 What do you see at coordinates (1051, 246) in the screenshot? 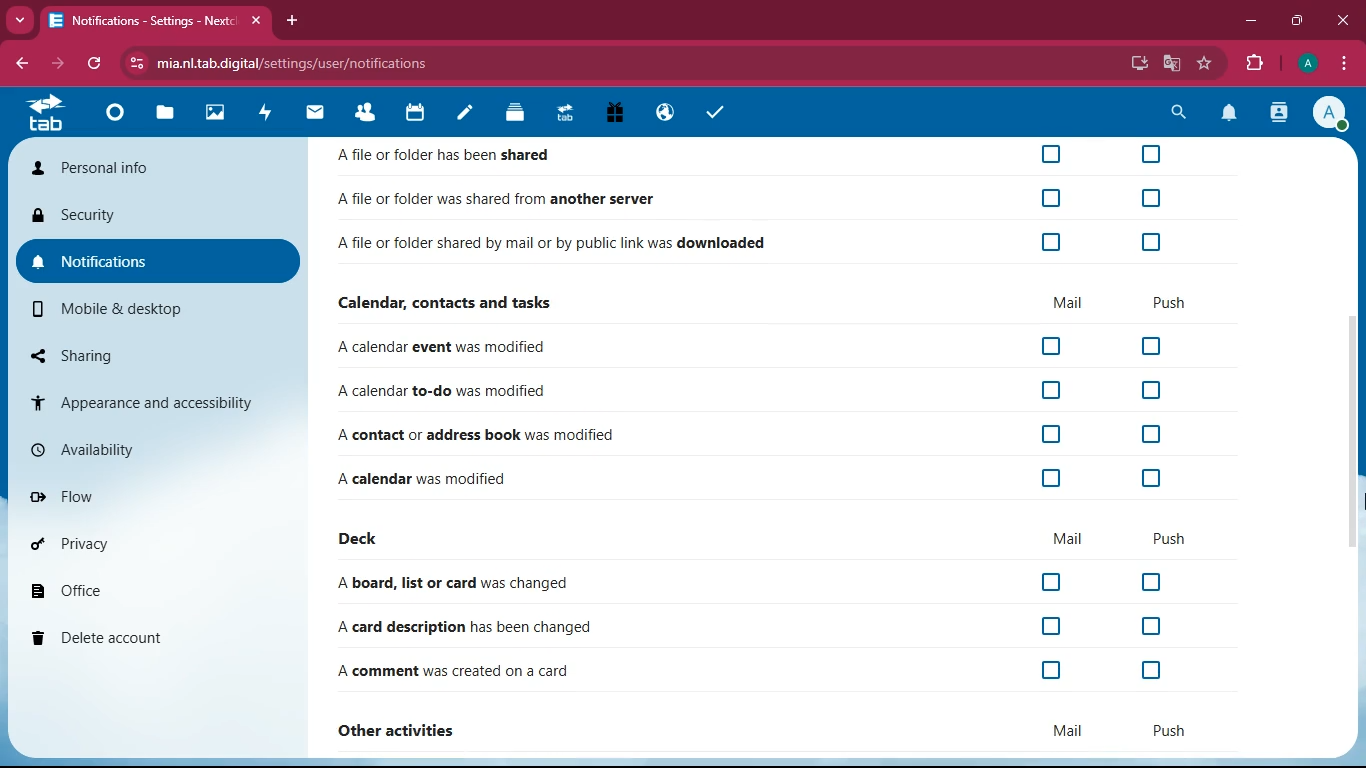
I see `off` at bounding box center [1051, 246].